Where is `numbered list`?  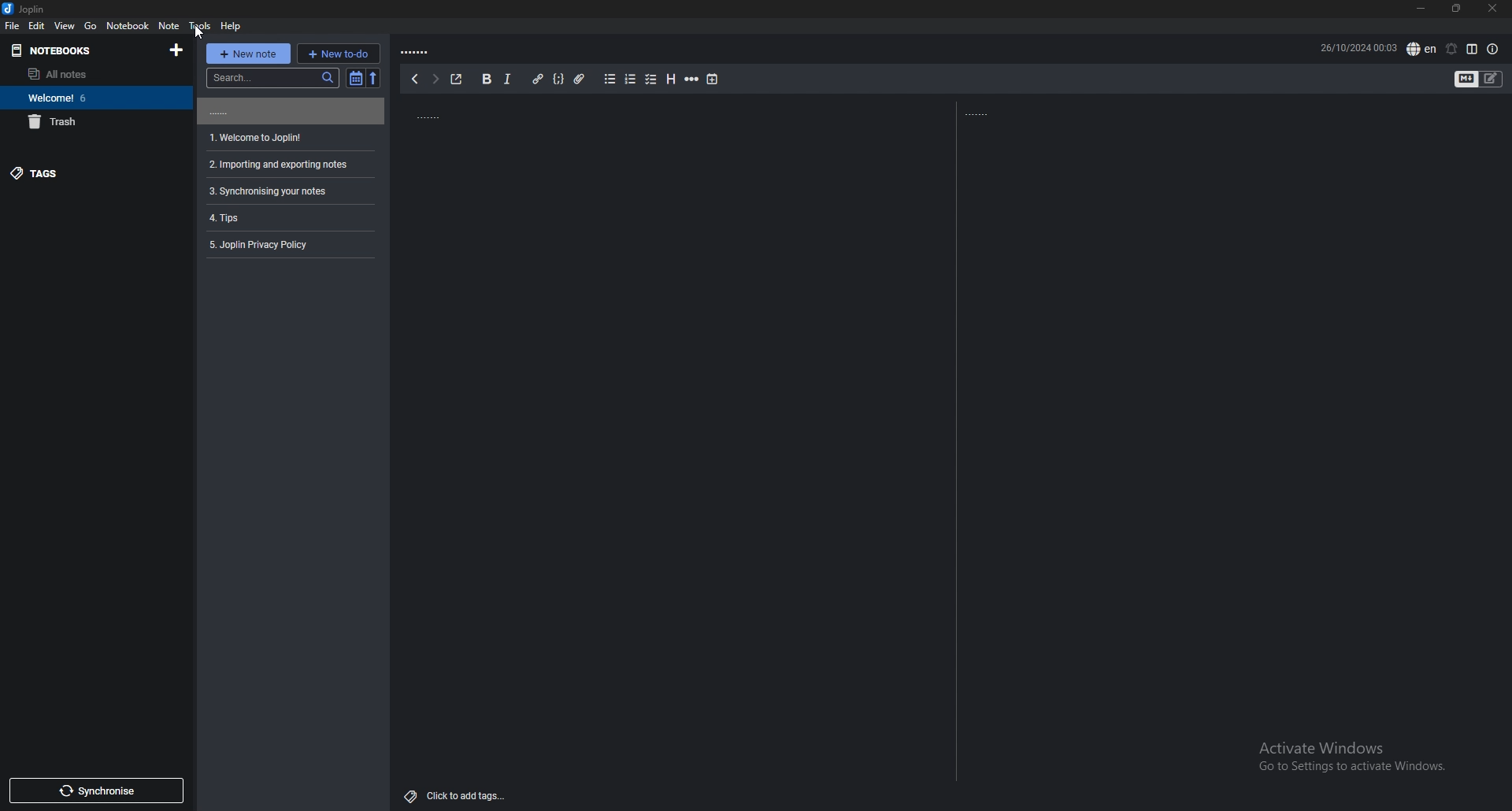
numbered list is located at coordinates (632, 79).